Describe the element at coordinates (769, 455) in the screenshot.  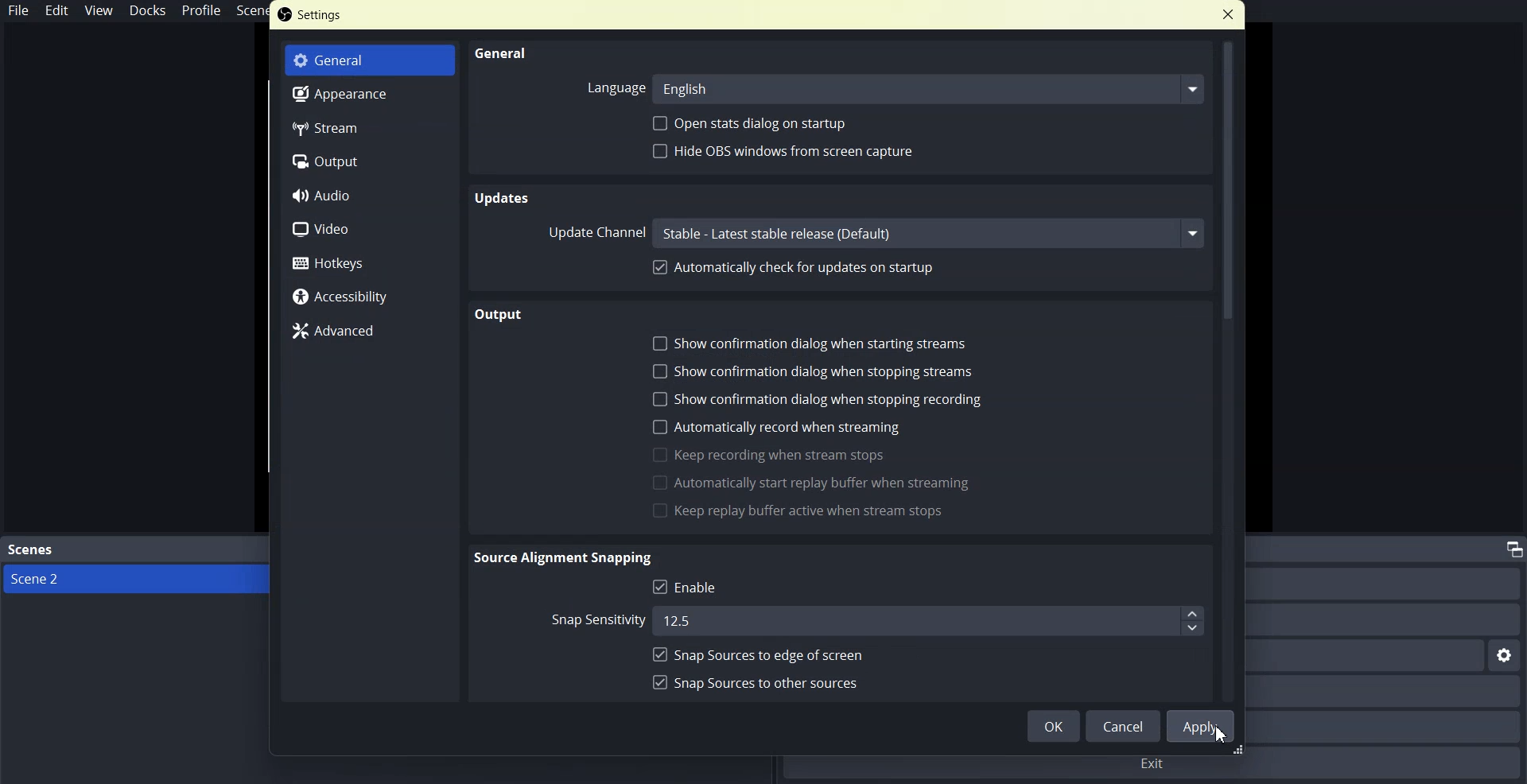
I see `Keep recording when stream stops` at that location.